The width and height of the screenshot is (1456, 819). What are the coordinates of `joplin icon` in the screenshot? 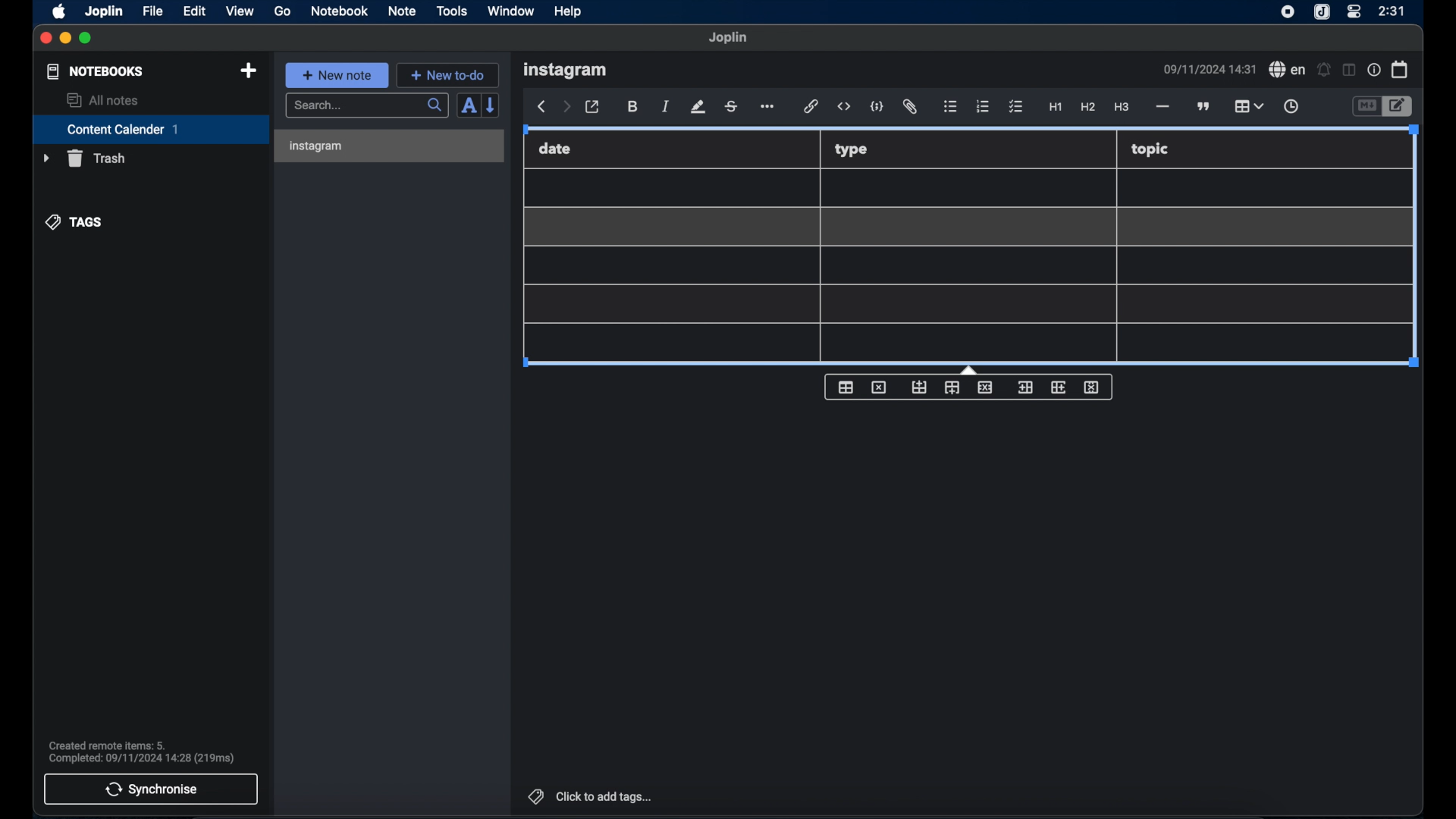 It's located at (1321, 12).